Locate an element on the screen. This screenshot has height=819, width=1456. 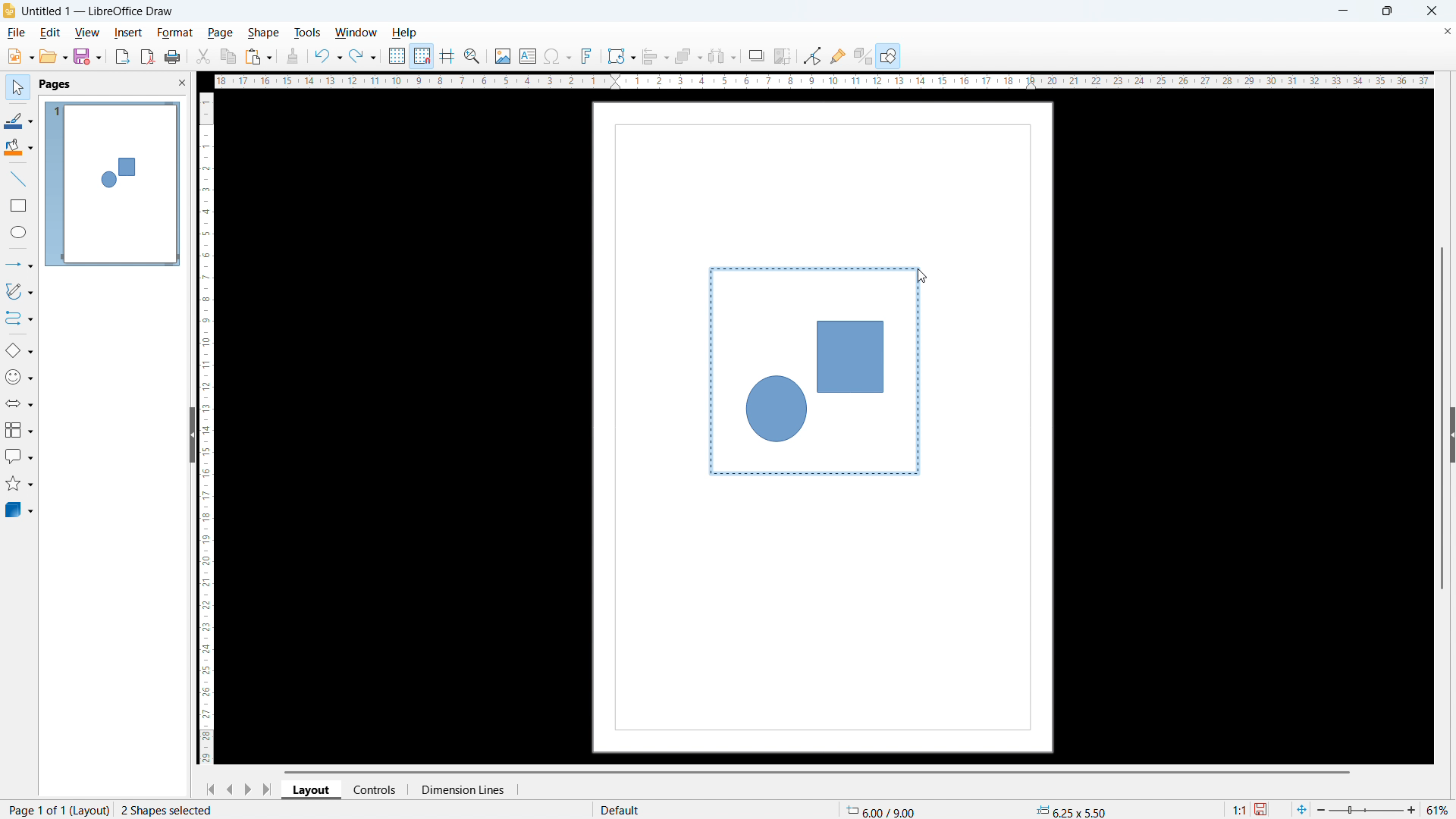
save is located at coordinates (1263, 810).